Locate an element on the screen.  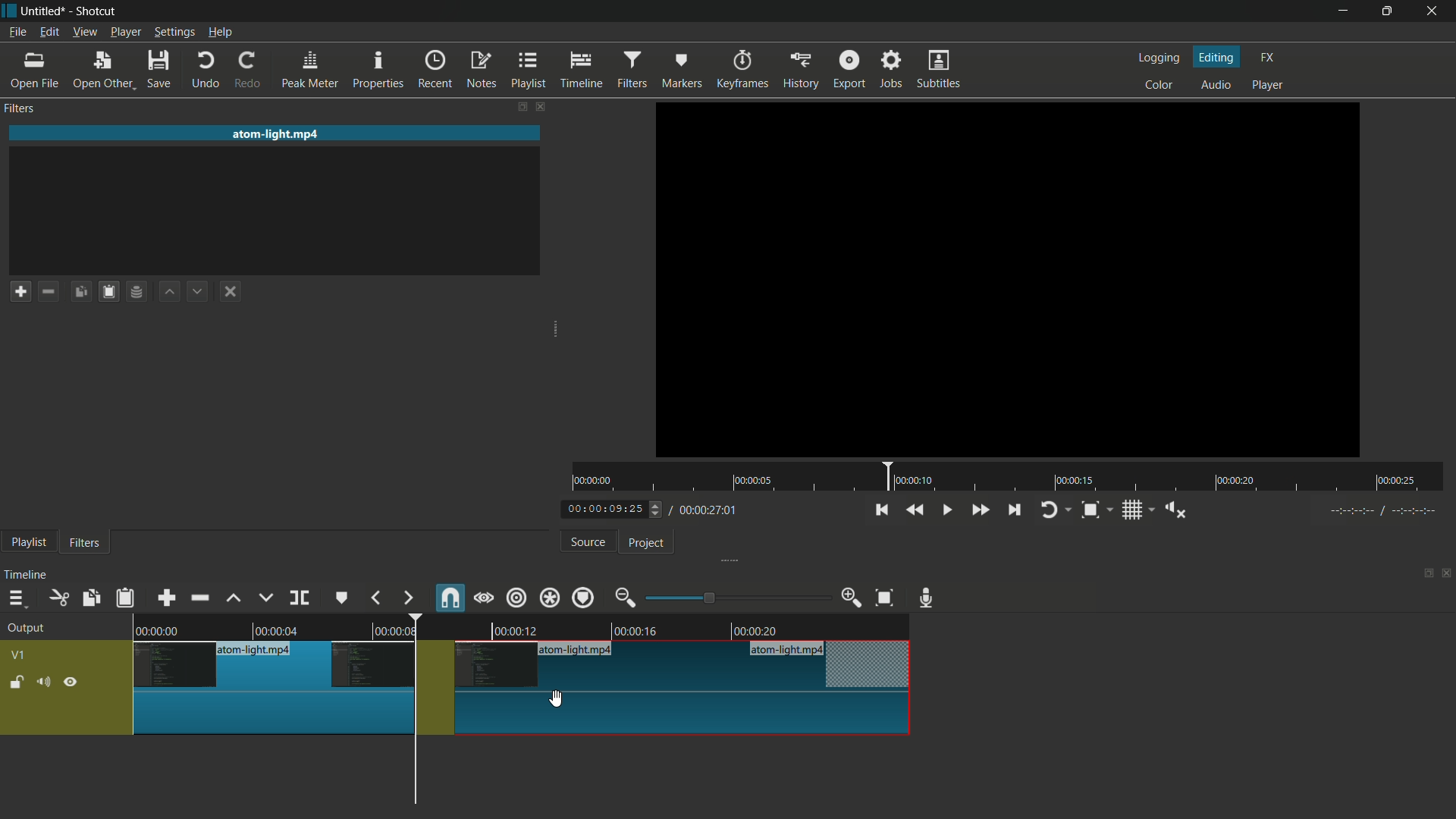
project name is located at coordinates (46, 11).